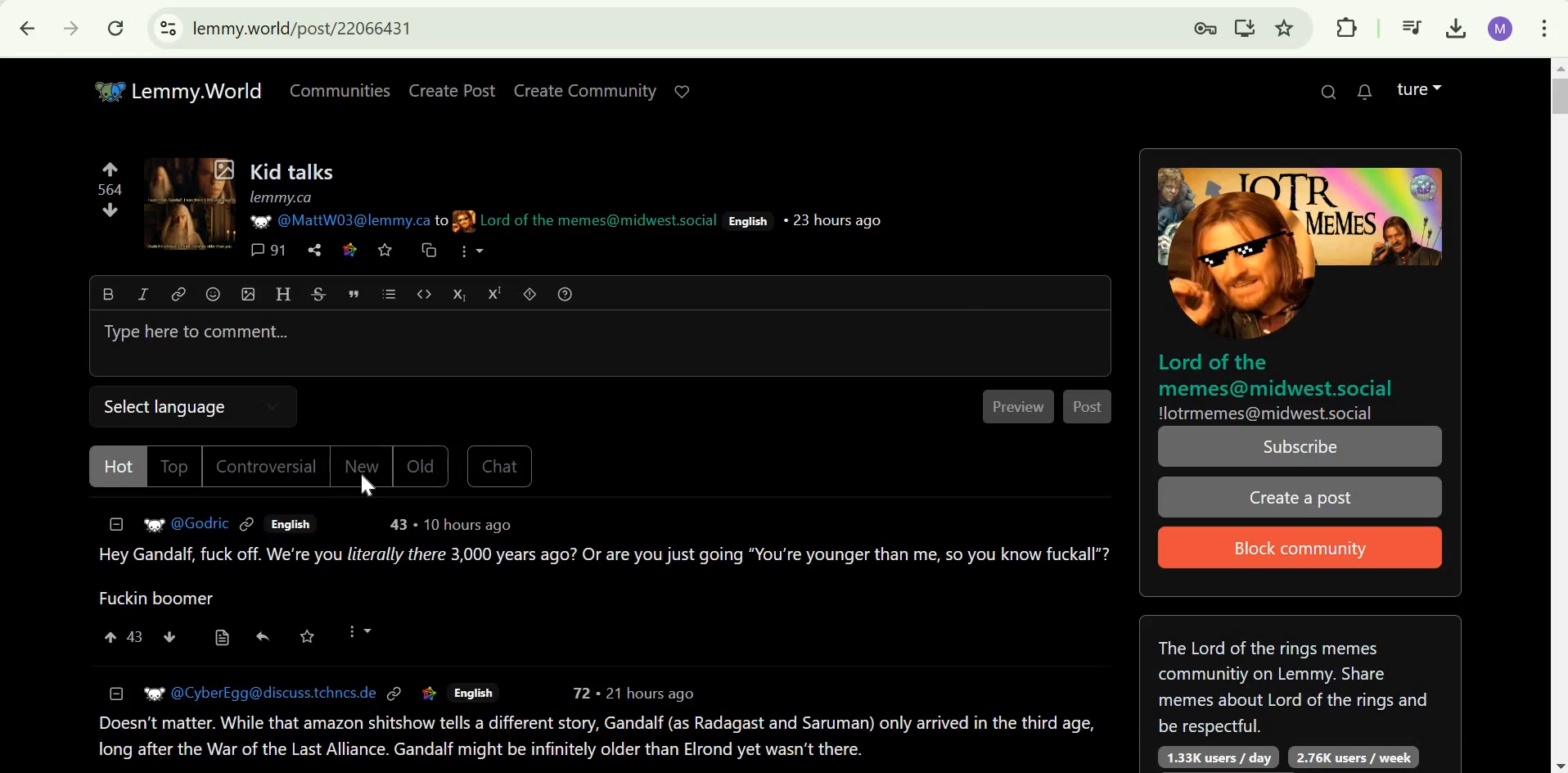  I want to click on share, so click(313, 251).